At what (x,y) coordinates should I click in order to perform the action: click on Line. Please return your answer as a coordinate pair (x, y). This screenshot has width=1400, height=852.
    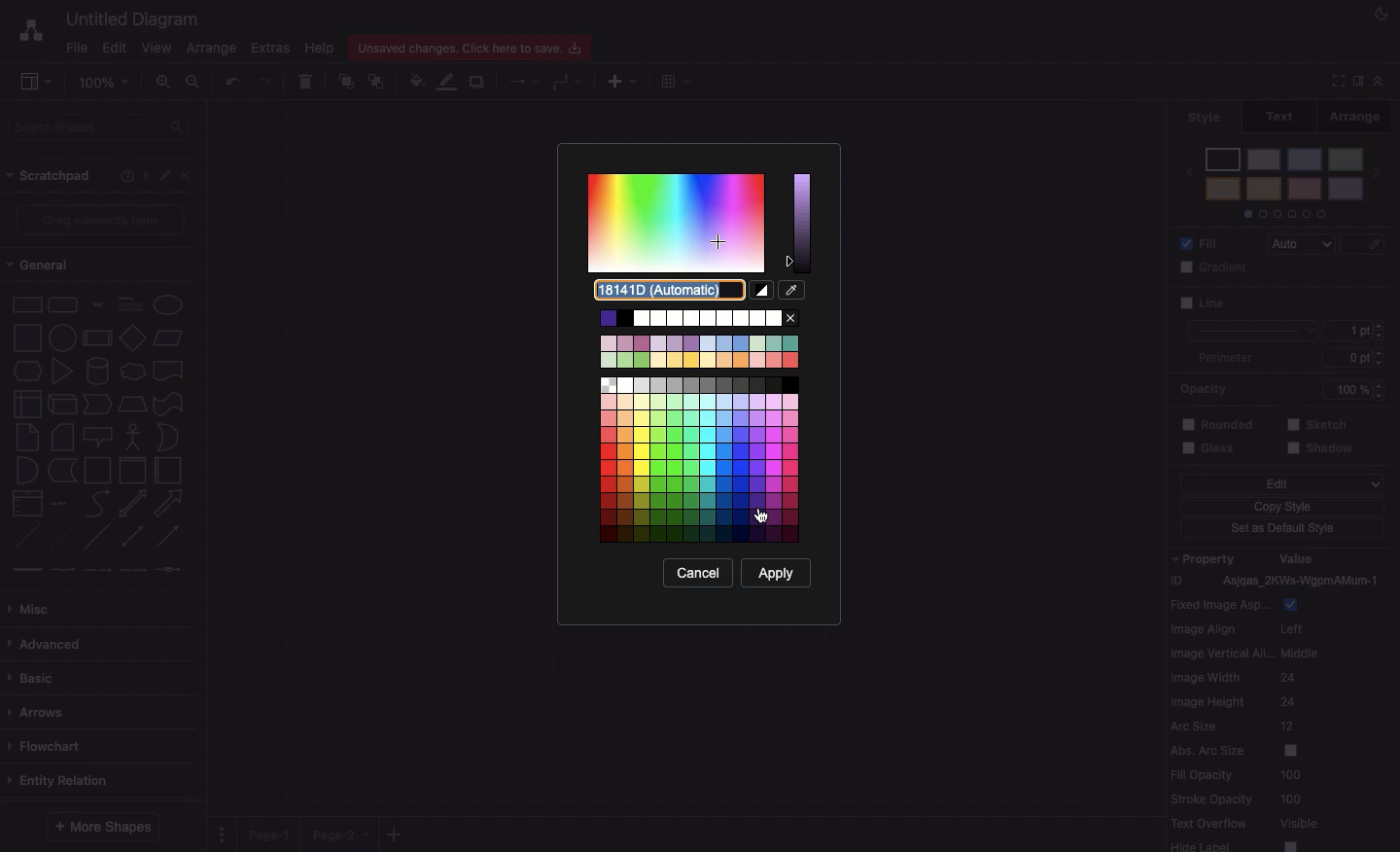
    Looking at the image, I should click on (1246, 316).